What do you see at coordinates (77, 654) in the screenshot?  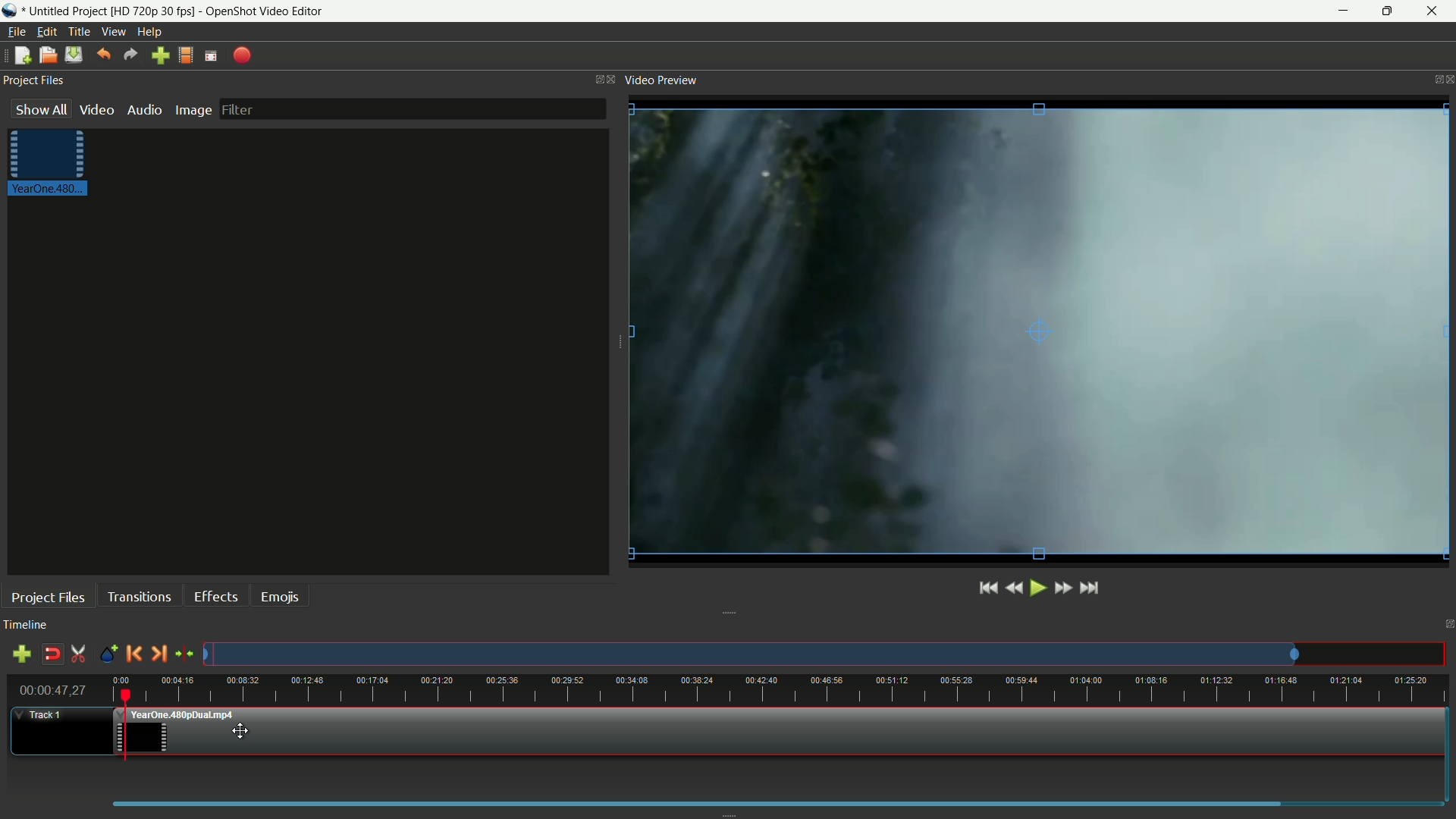 I see `enable razor` at bounding box center [77, 654].